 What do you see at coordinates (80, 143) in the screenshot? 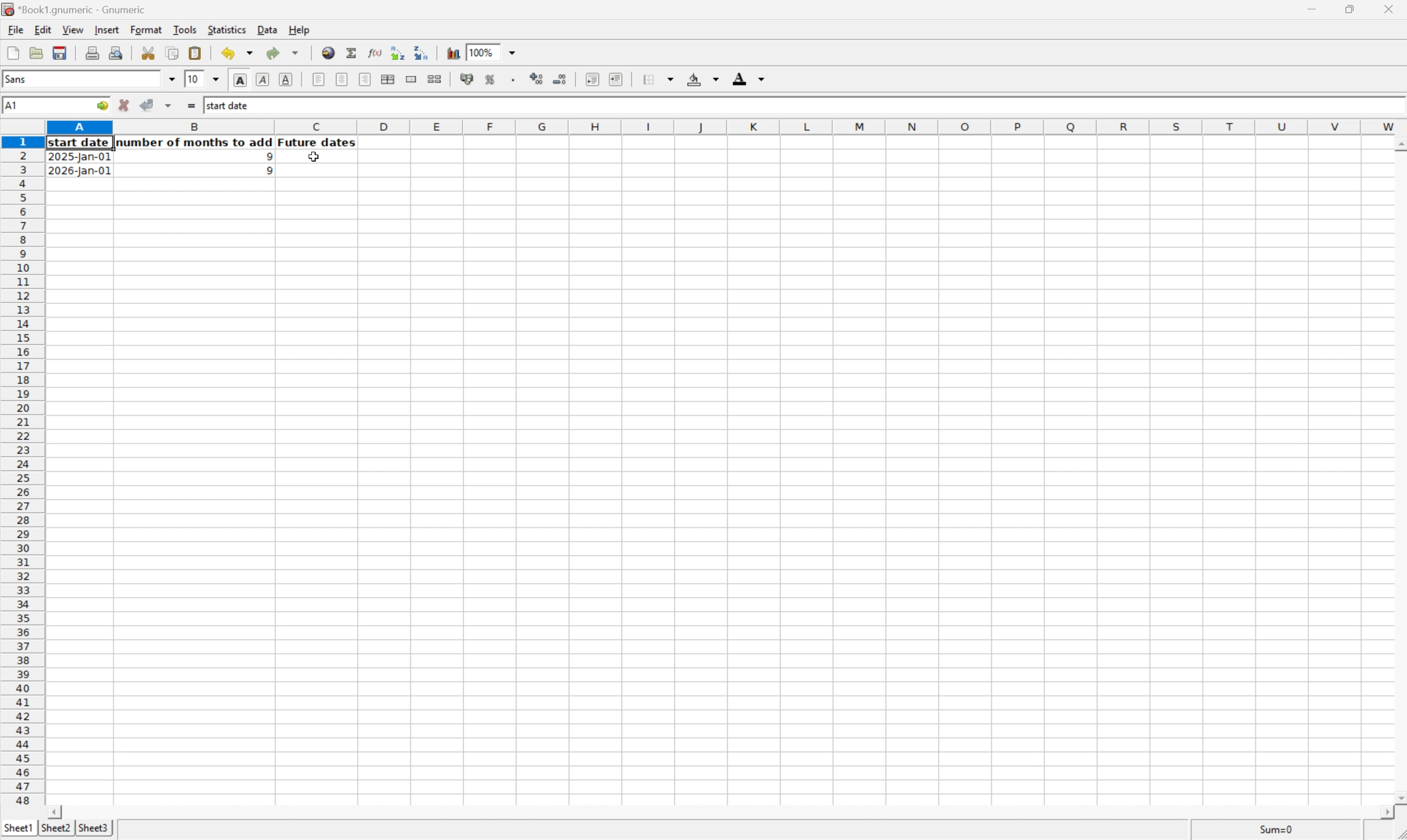
I see `start date` at bounding box center [80, 143].